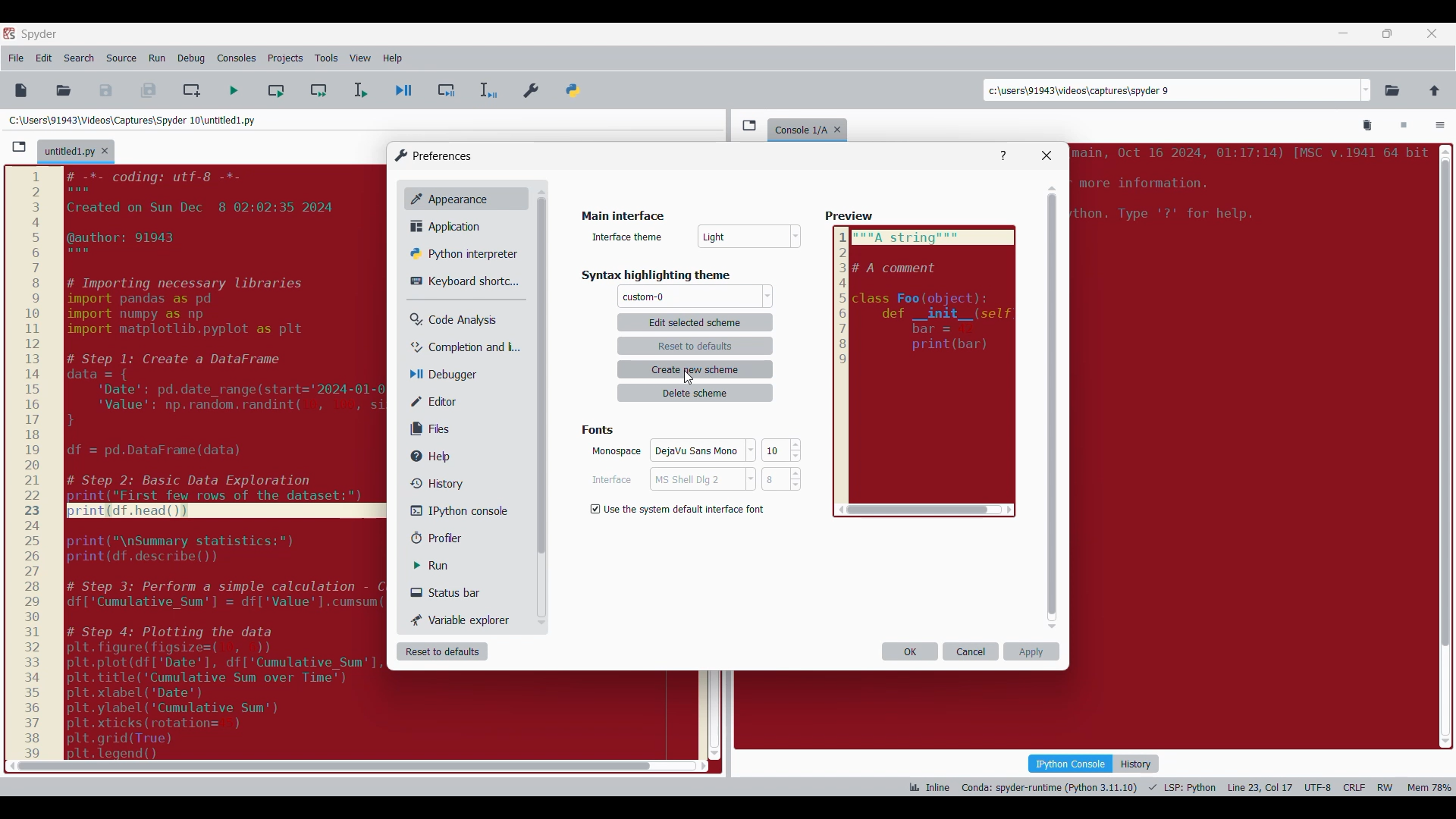 Image resolution: width=1456 pixels, height=819 pixels. I want to click on Remove all variables from namespace, so click(1368, 126).